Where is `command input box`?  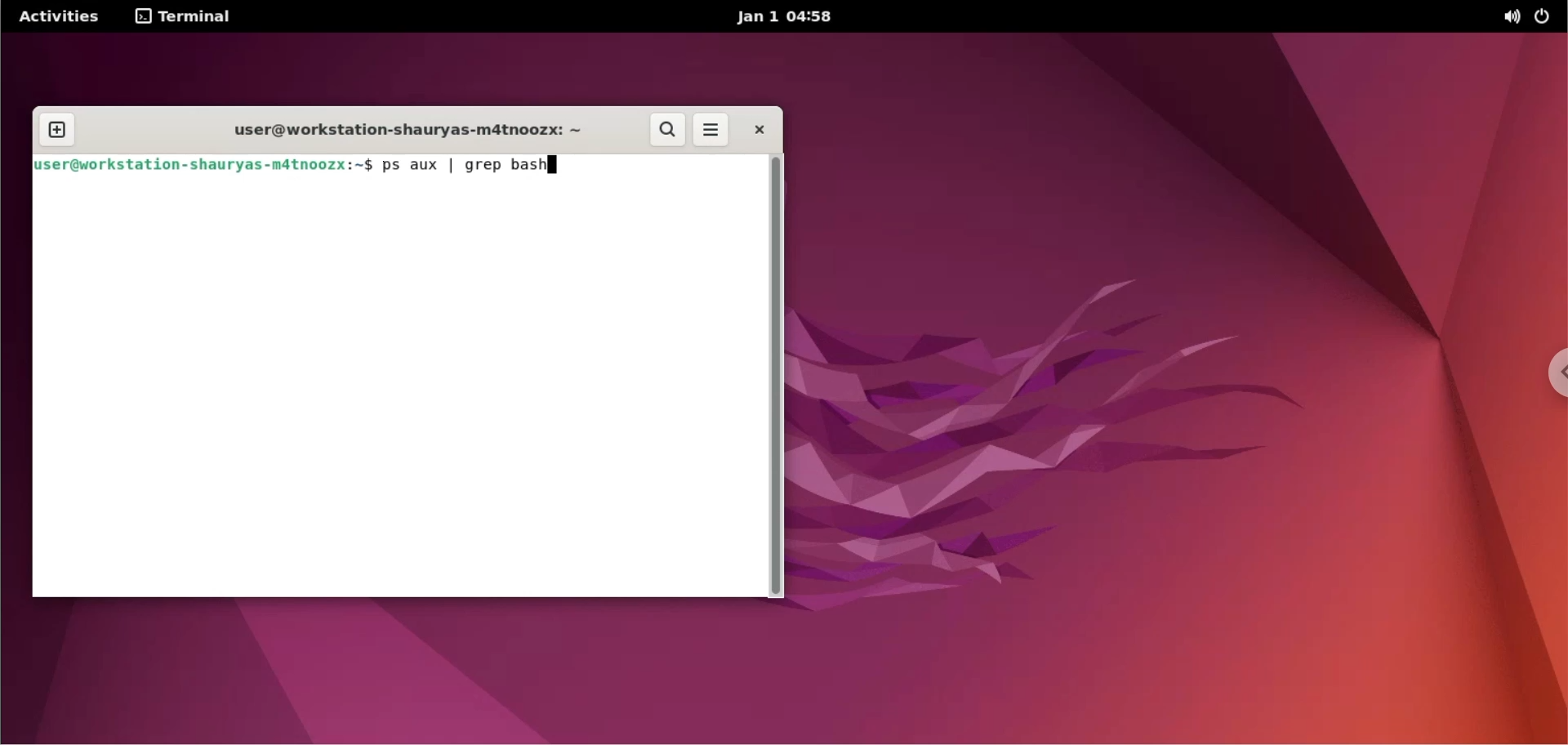 command input box is located at coordinates (398, 390).